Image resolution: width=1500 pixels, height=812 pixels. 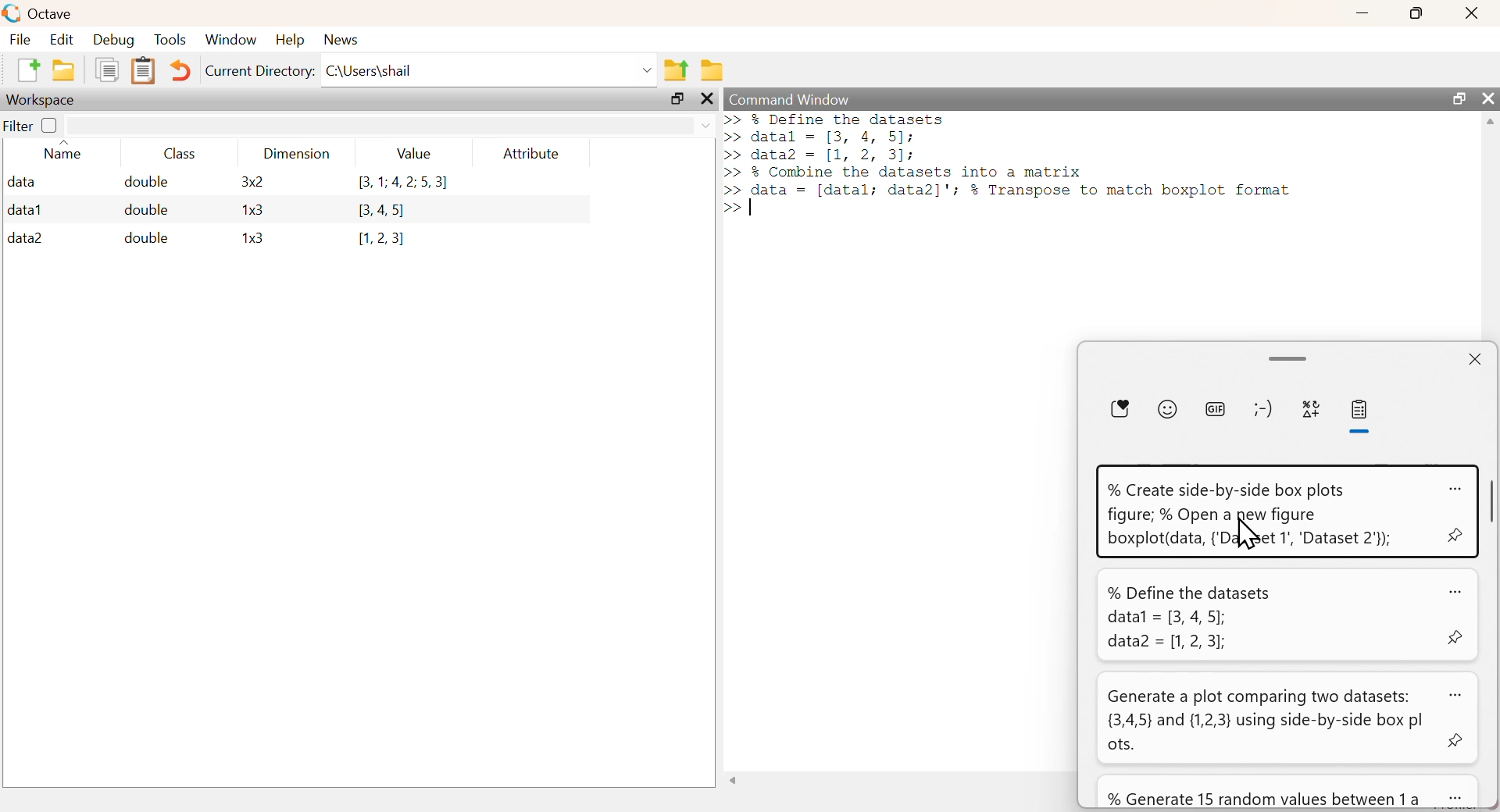 I want to click on data1, so click(x=26, y=208).